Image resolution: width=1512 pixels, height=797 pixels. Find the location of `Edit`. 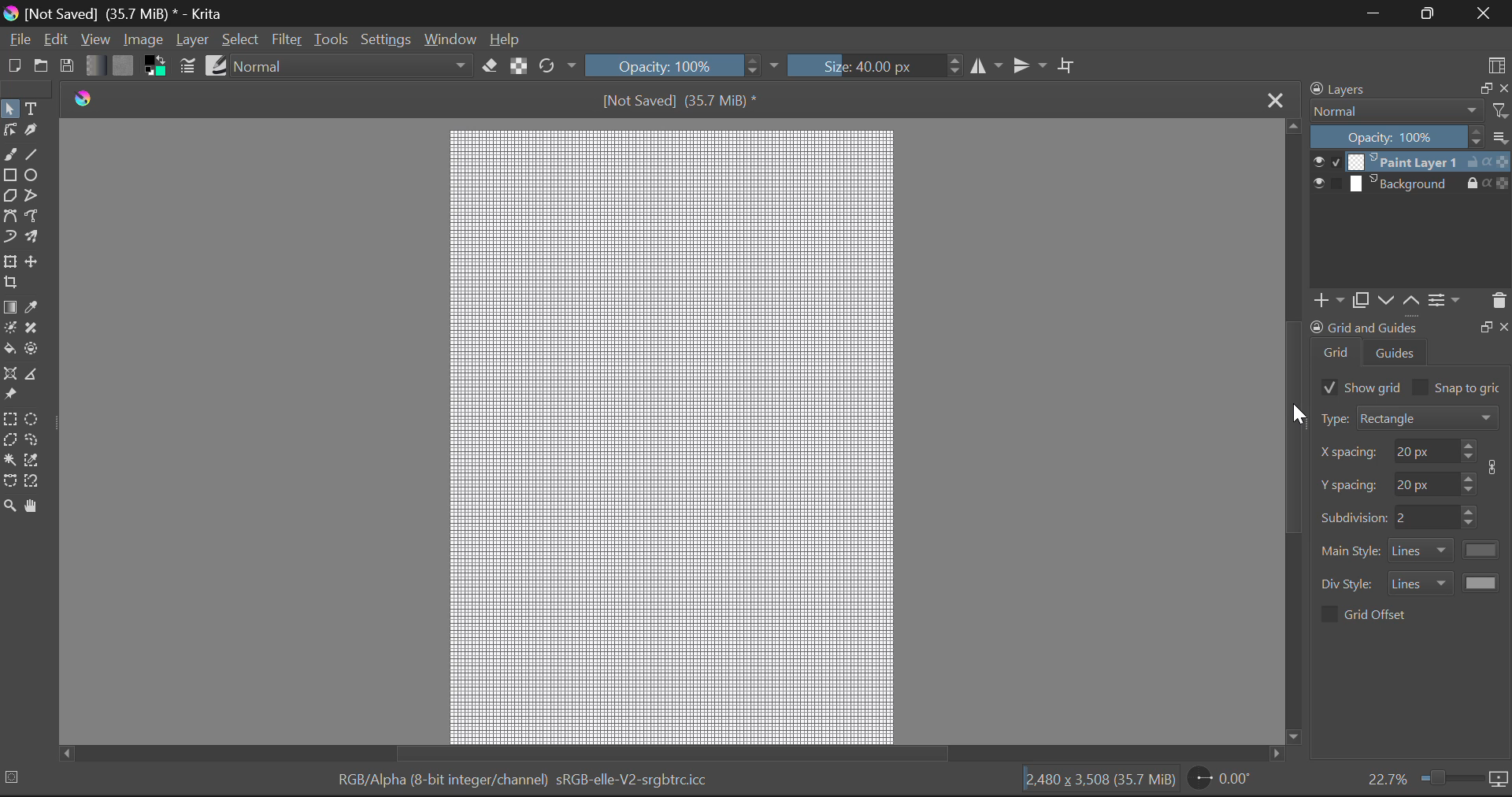

Edit is located at coordinates (55, 39).